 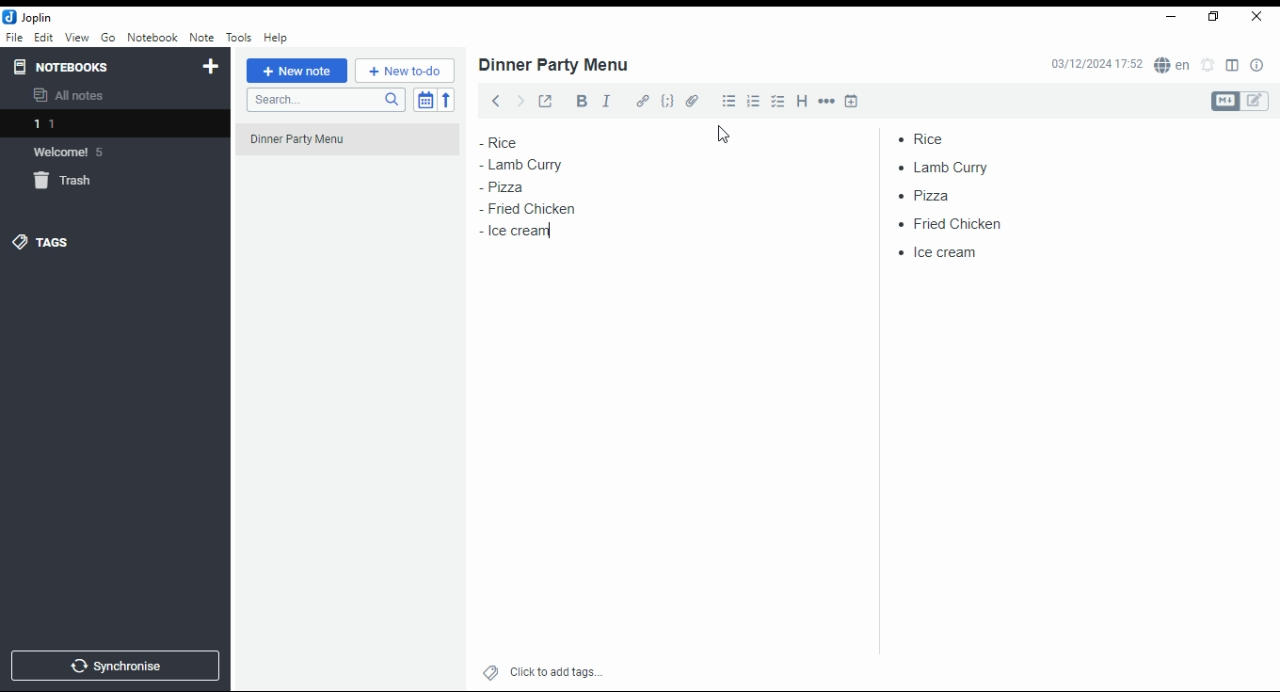 I want to click on forward, so click(x=519, y=98).